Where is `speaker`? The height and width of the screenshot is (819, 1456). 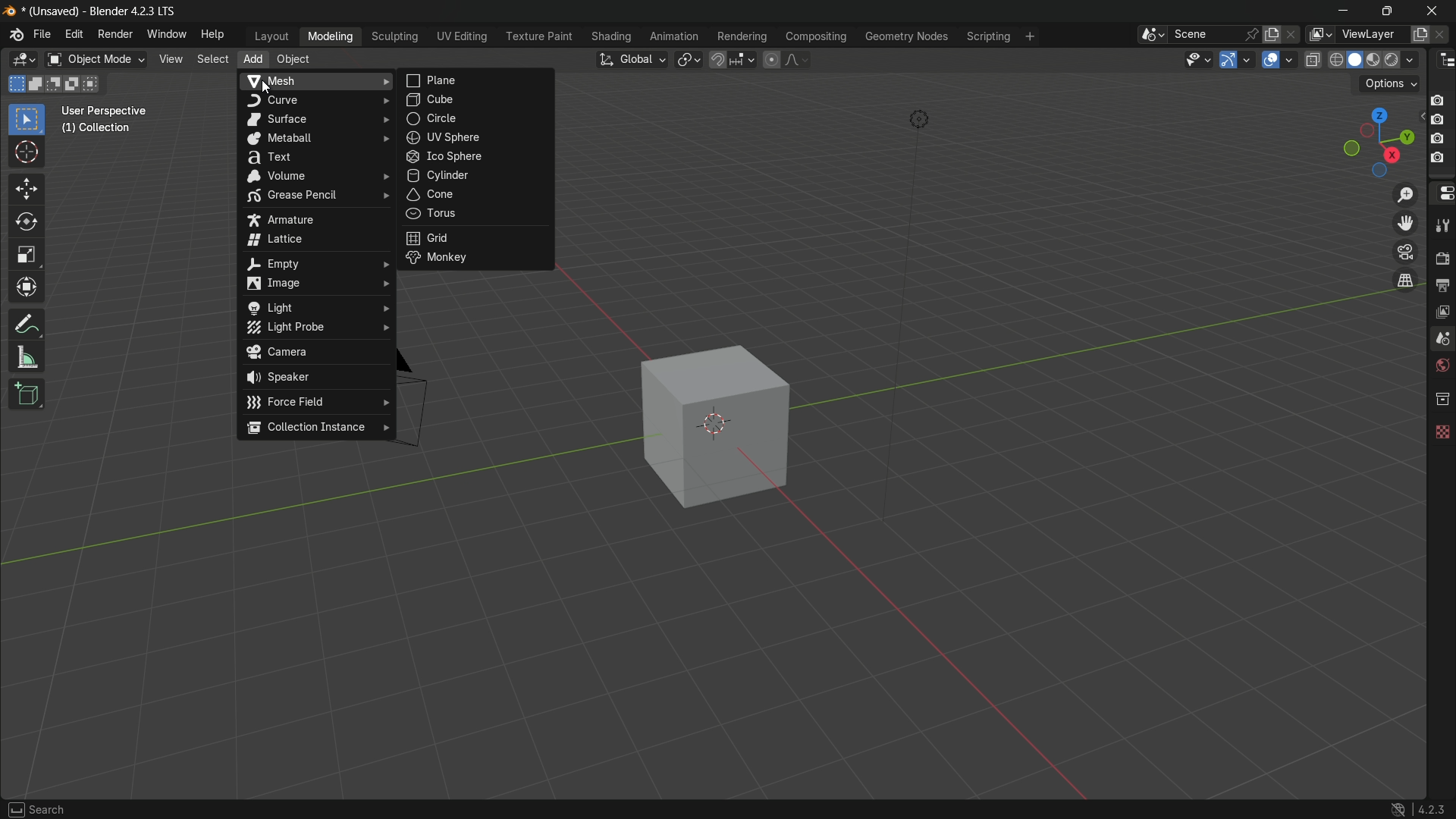 speaker is located at coordinates (316, 380).